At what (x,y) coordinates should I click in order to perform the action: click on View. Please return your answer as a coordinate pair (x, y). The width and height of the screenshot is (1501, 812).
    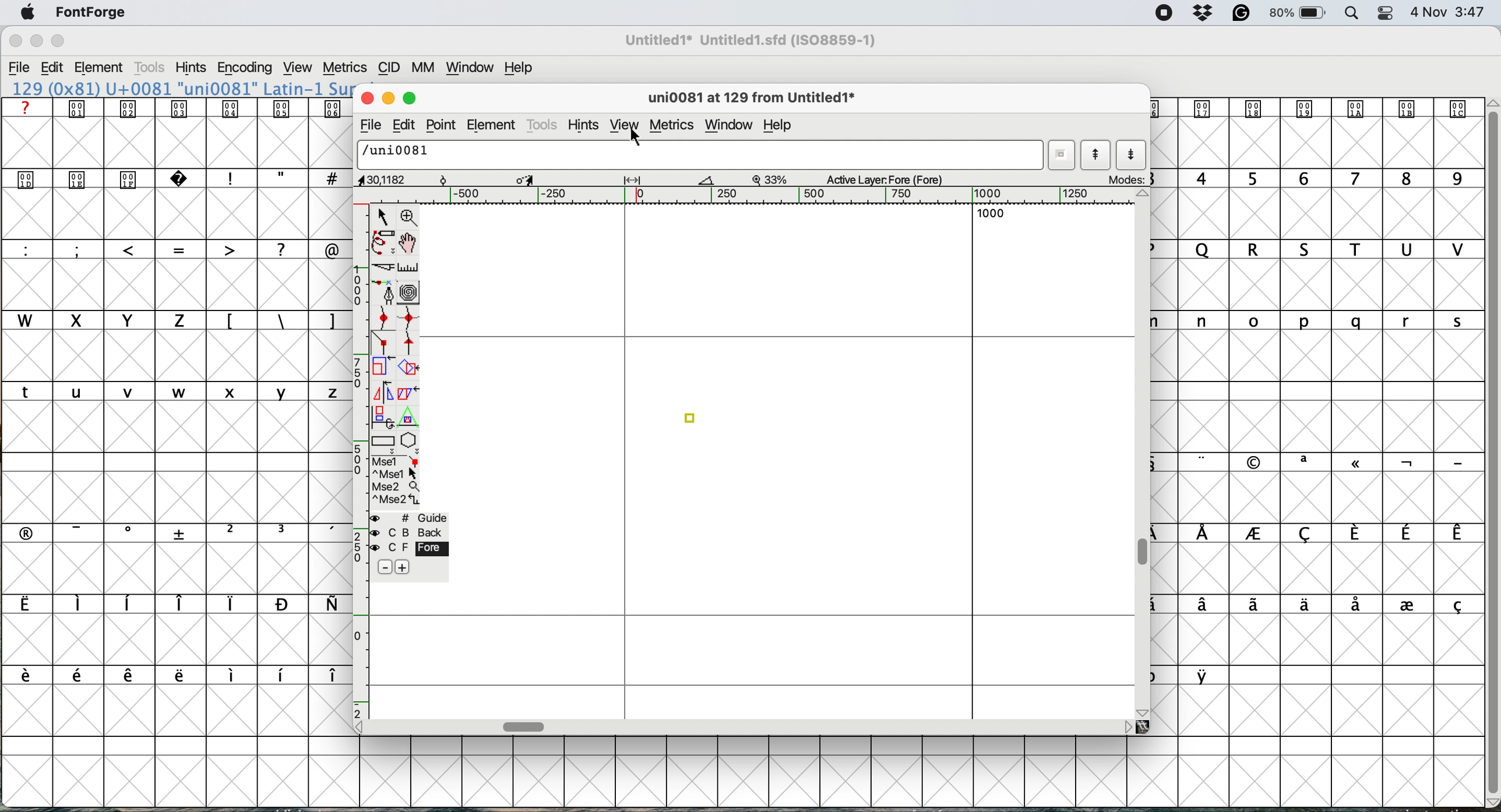
    Looking at the image, I should click on (297, 68).